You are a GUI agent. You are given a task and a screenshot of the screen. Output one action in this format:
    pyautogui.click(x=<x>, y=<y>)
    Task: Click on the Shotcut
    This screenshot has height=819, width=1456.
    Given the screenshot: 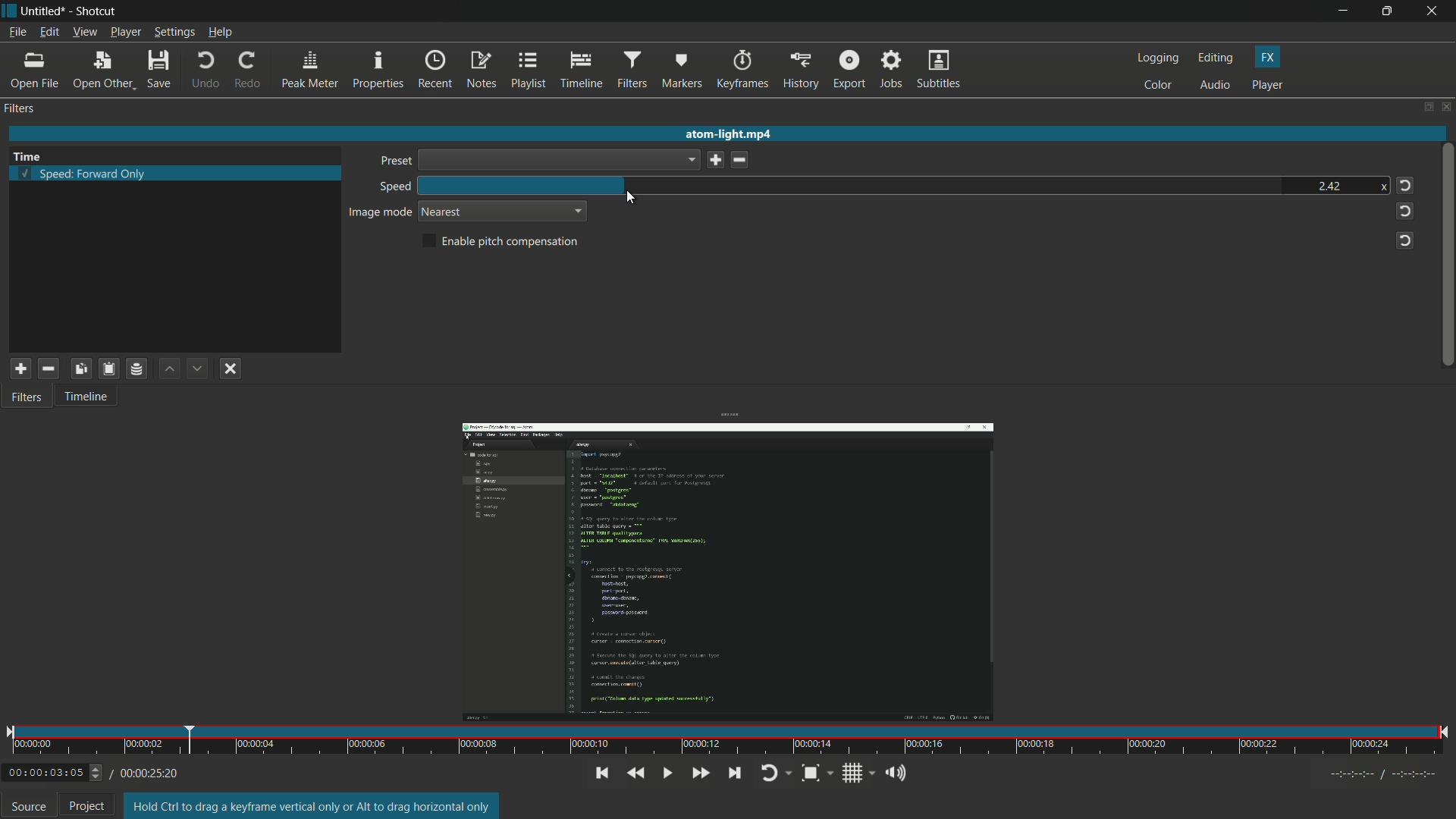 What is the action you would take?
    pyautogui.click(x=98, y=11)
    